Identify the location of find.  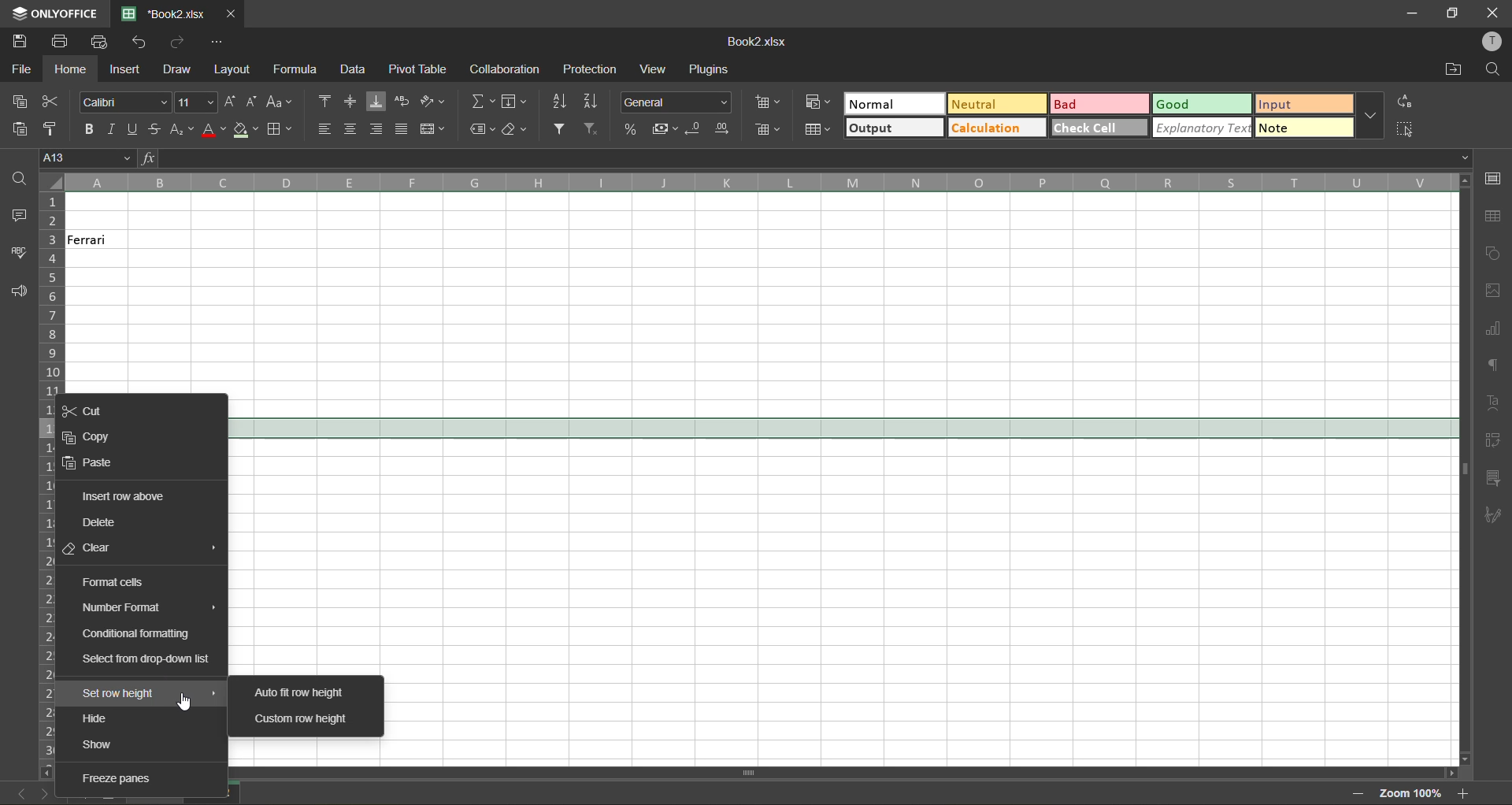
(14, 178).